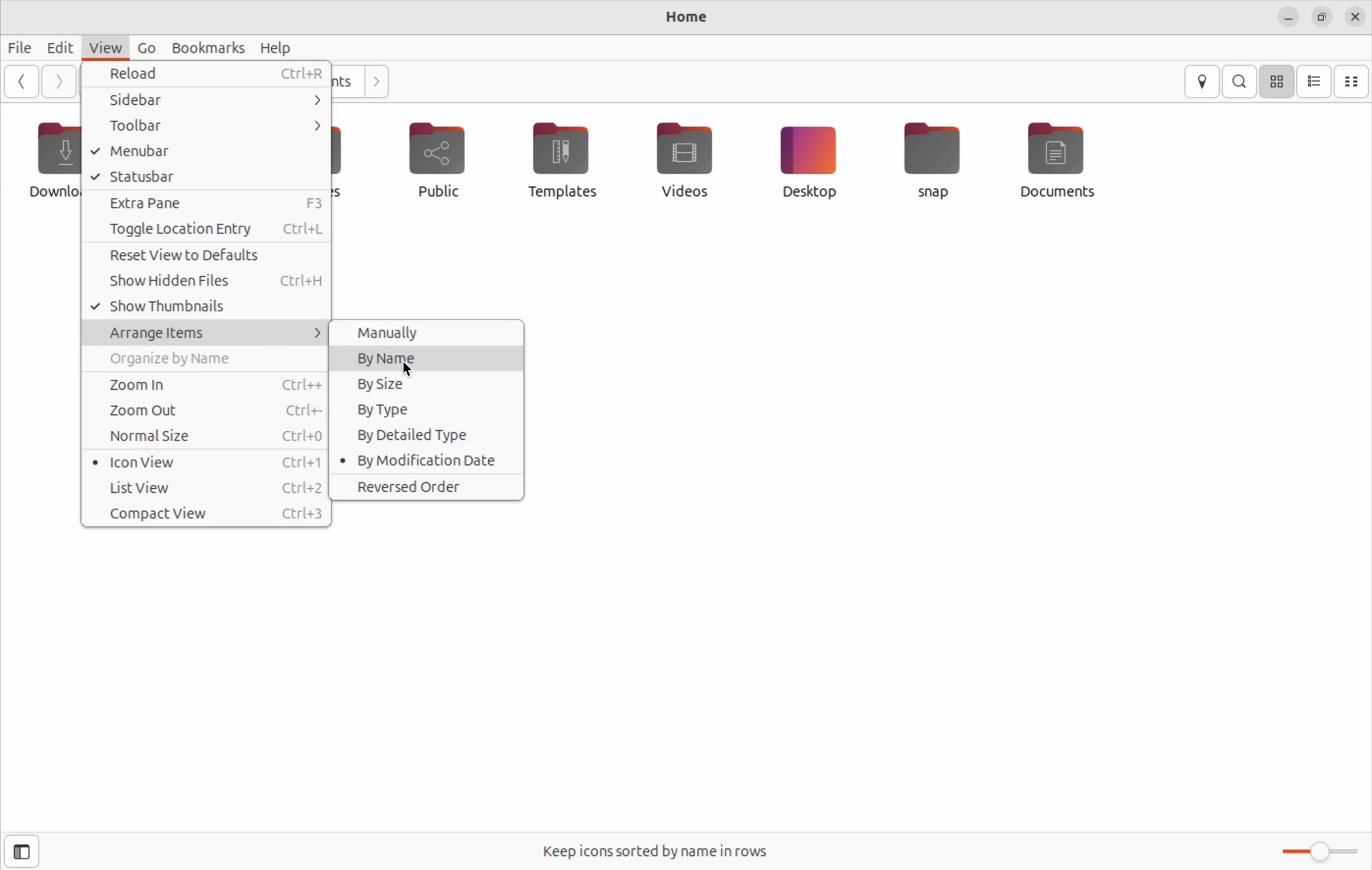 The image size is (1372, 870). Describe the element at coordinates (207, 438) in the screenshot. I see `normal size` at that location.